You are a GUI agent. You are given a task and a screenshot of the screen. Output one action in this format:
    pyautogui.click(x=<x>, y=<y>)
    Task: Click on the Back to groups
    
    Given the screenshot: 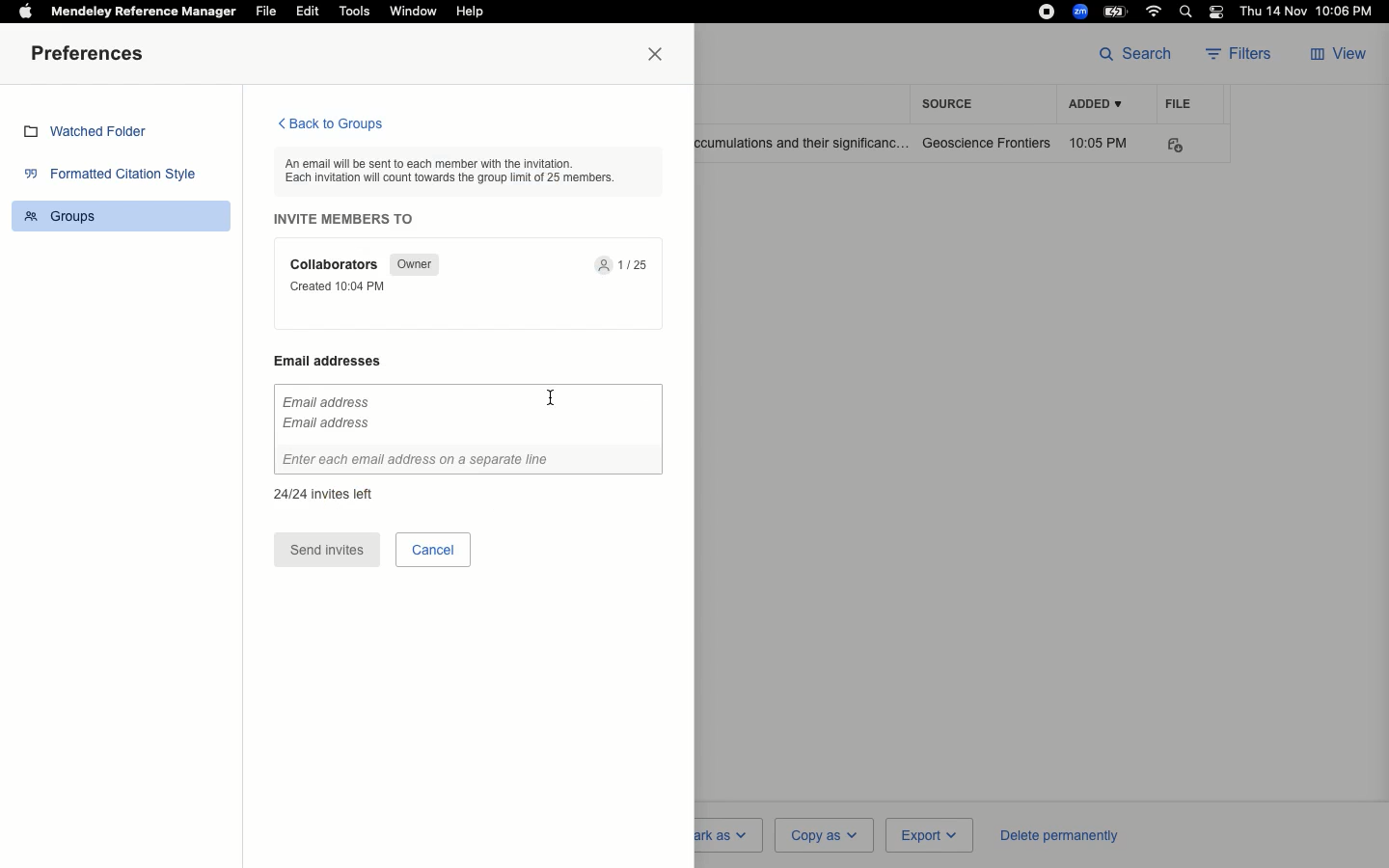 What is the action you would take?
    pyautogui.click(x=329, y=125)
    